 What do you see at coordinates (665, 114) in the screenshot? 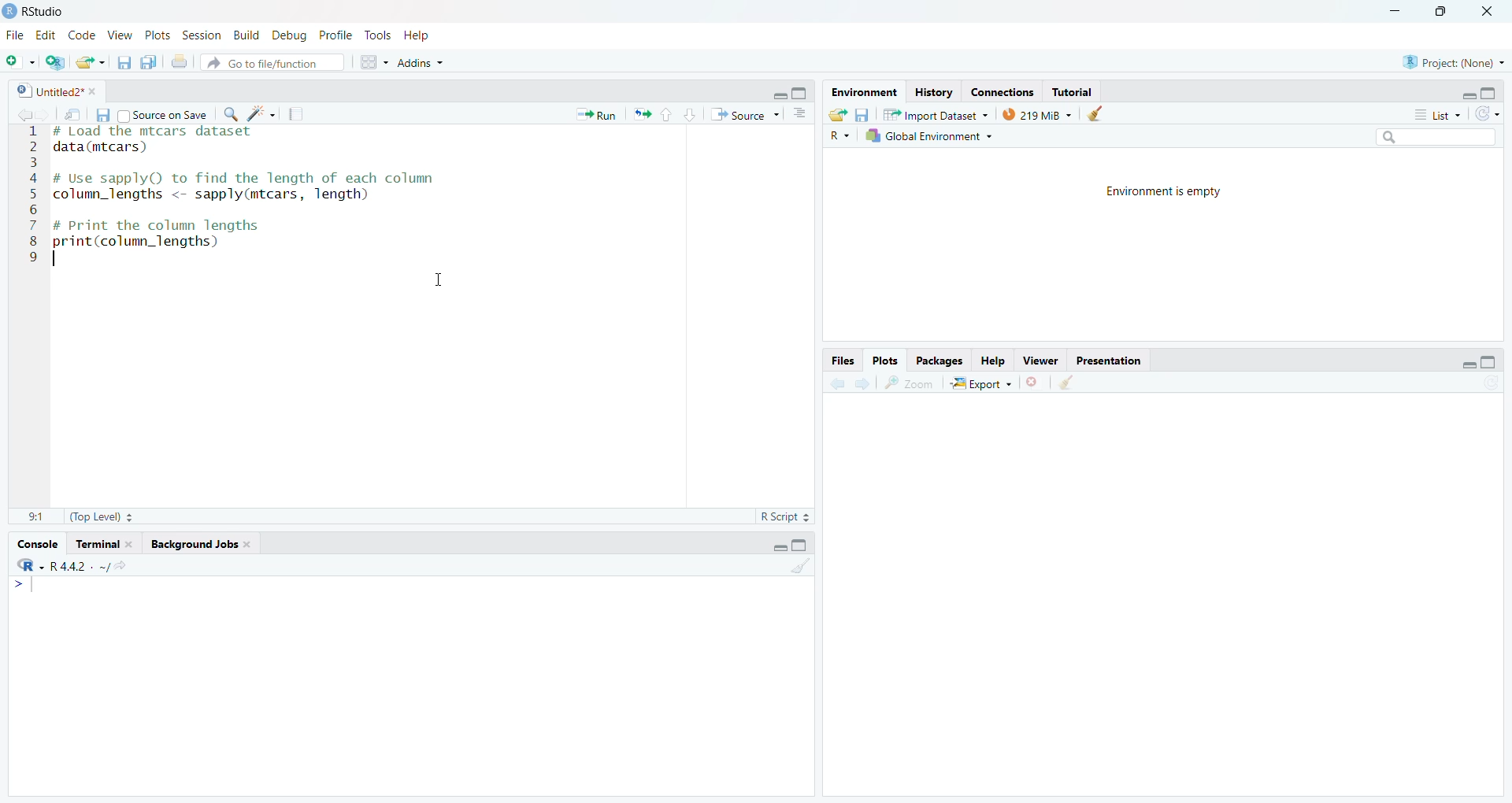
I see `Go to previous section` at bounding box center [665, 114].